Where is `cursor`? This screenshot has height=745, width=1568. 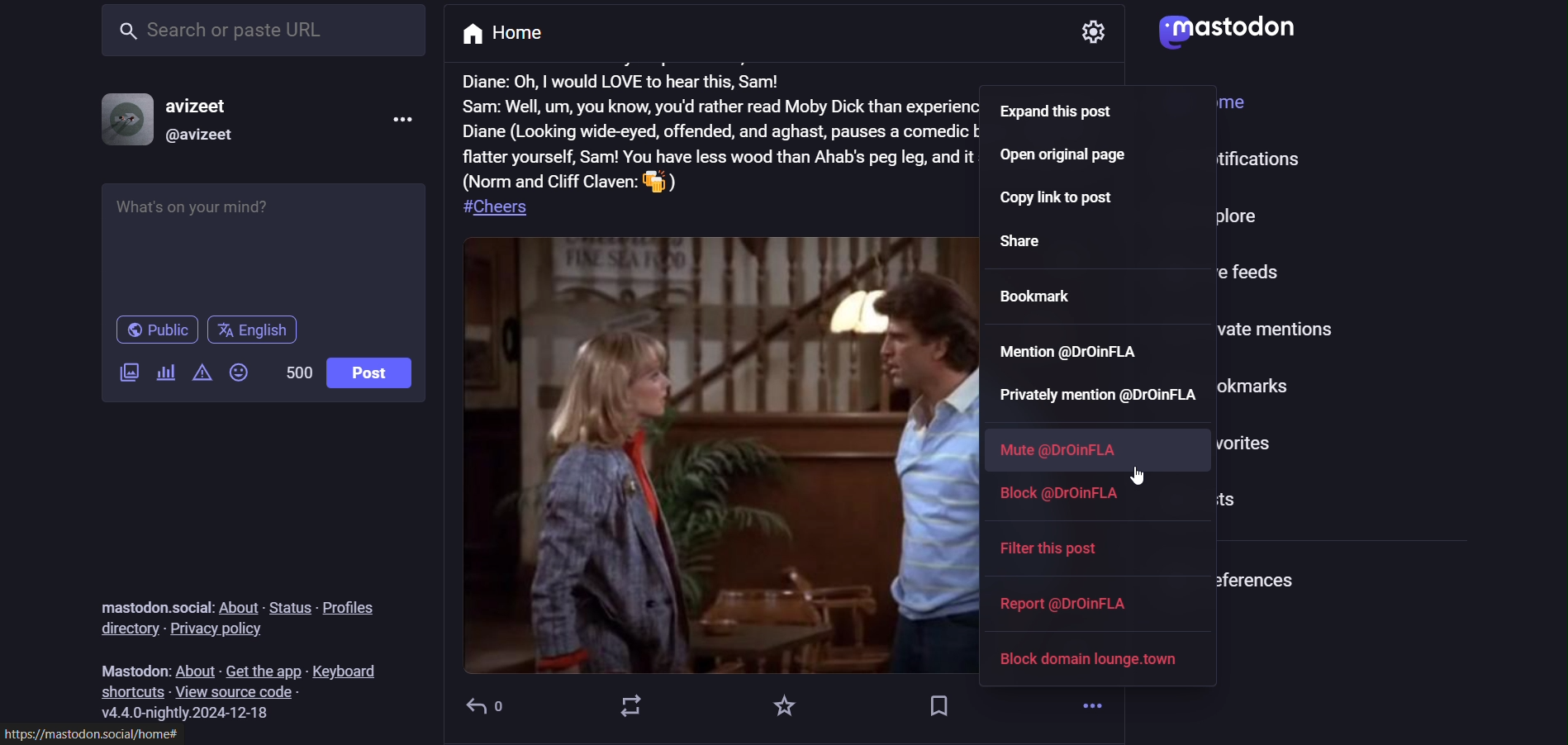 cursor is located at coordinates (1140, 475).